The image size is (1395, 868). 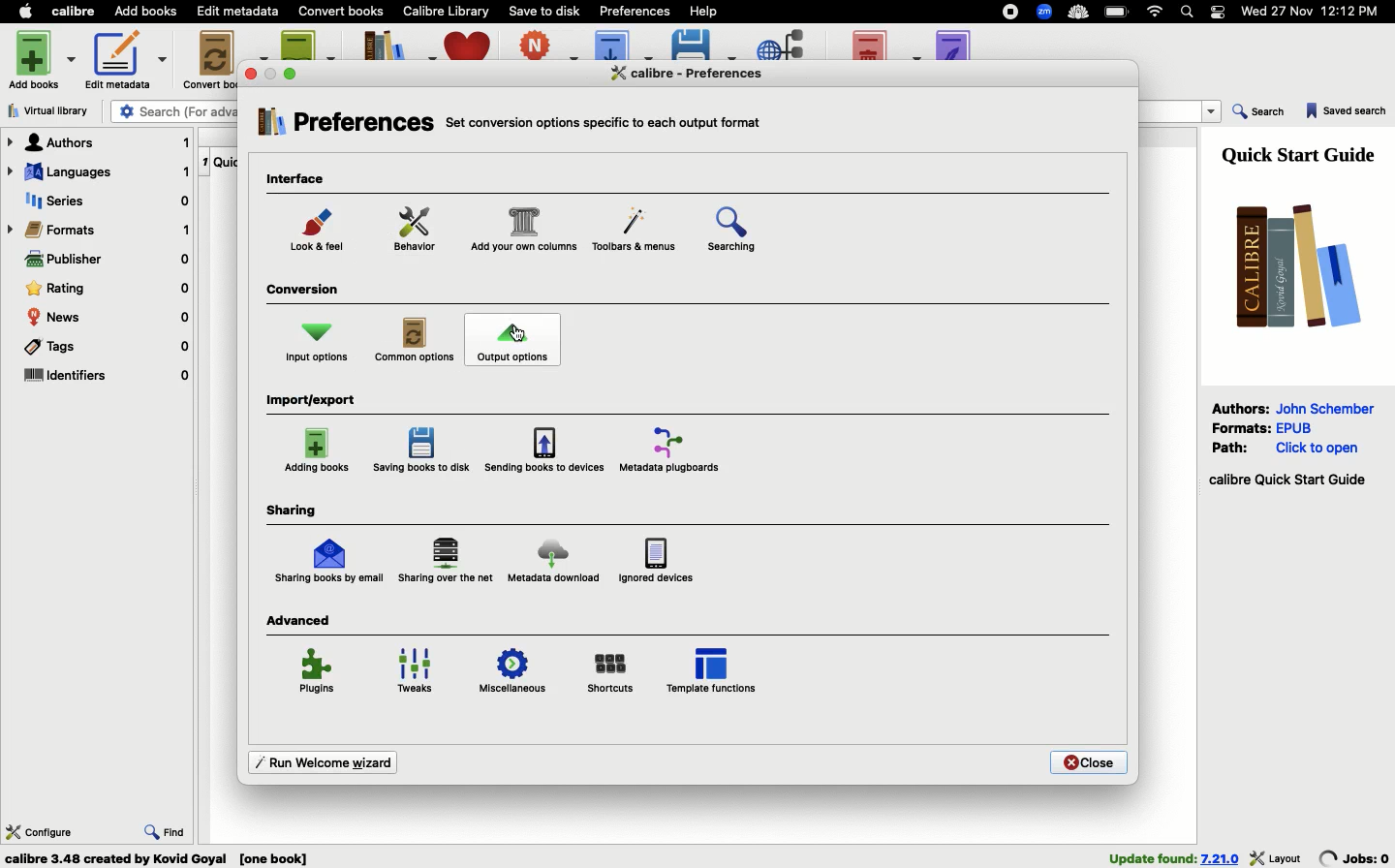 What do you see at coordinates (321, 234) in the screenshot?
I see `Look and feel` at bounding box center [321, 234].